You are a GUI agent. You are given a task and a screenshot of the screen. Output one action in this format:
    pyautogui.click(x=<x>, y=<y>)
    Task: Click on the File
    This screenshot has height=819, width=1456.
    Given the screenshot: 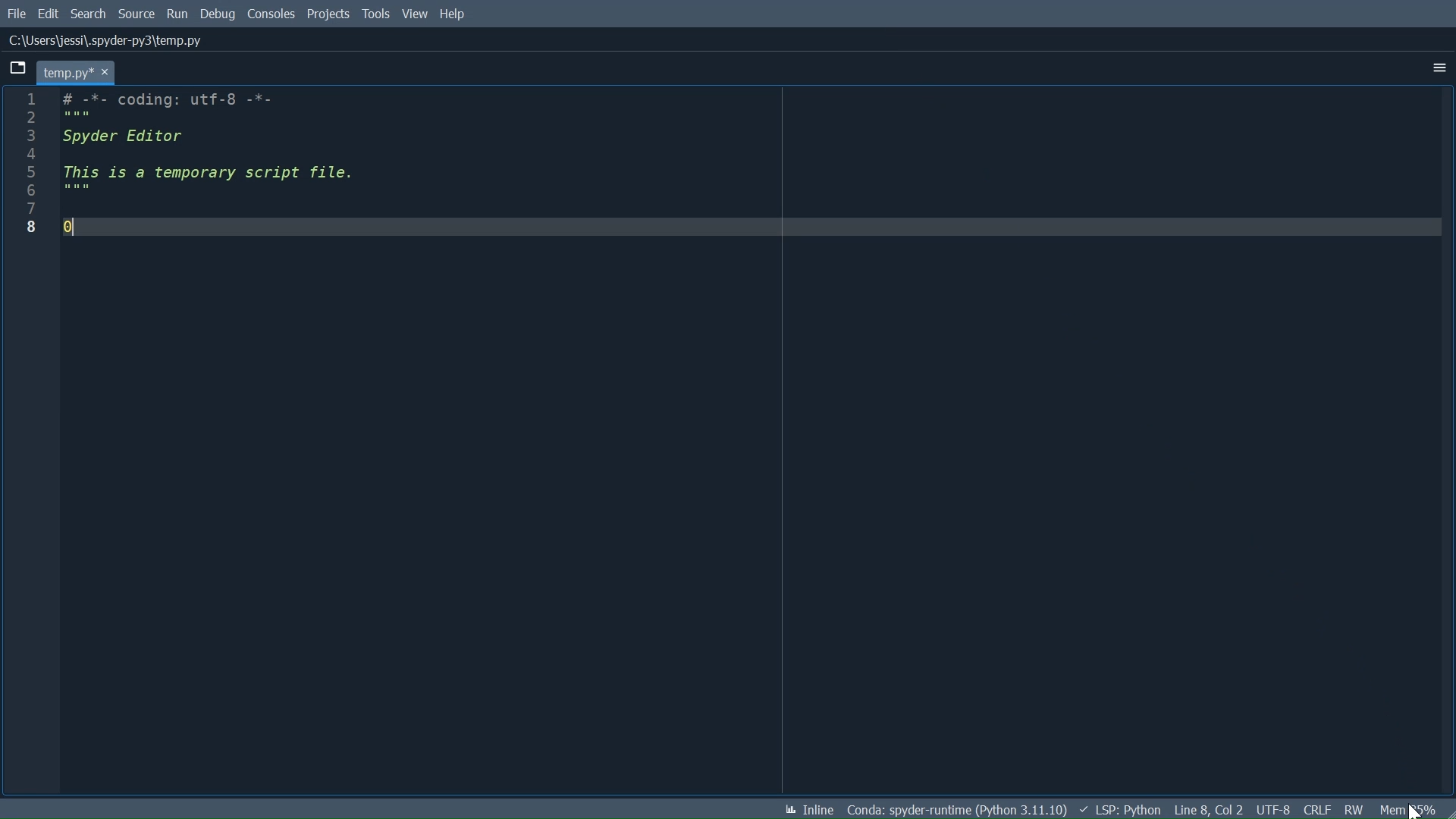 What is the action you would take?
    pyautogui.click(x=17, y=15)
    